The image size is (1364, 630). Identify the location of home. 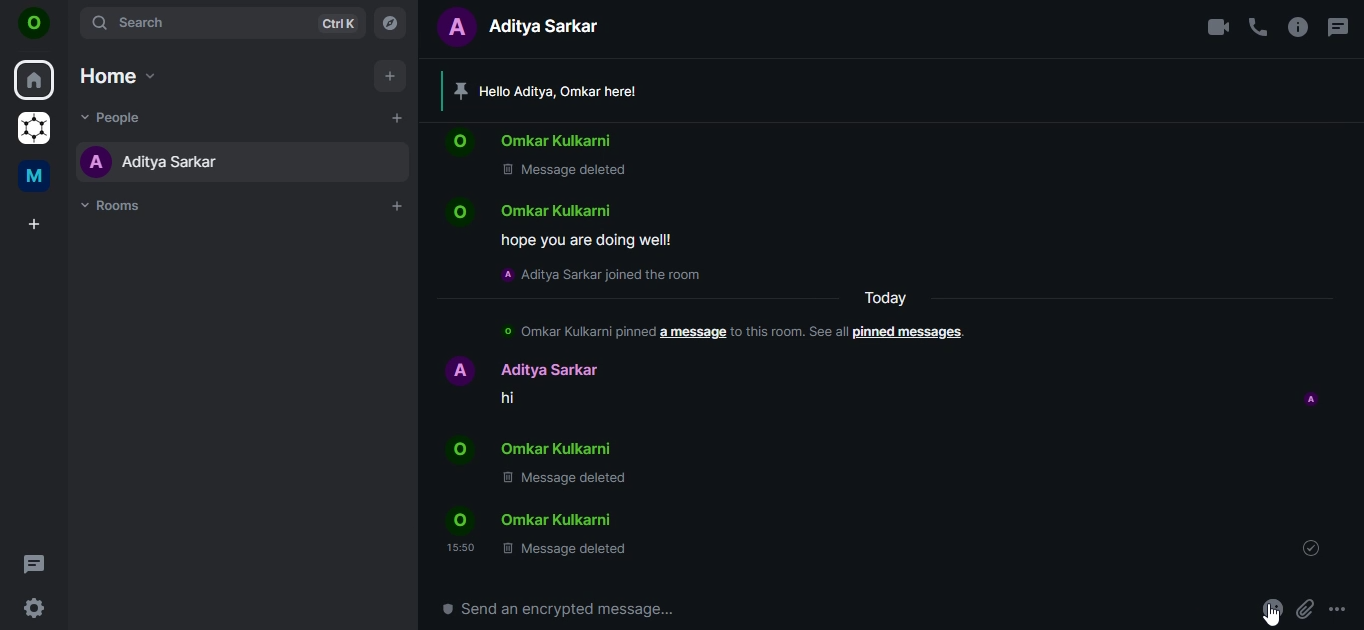
(118, 73).